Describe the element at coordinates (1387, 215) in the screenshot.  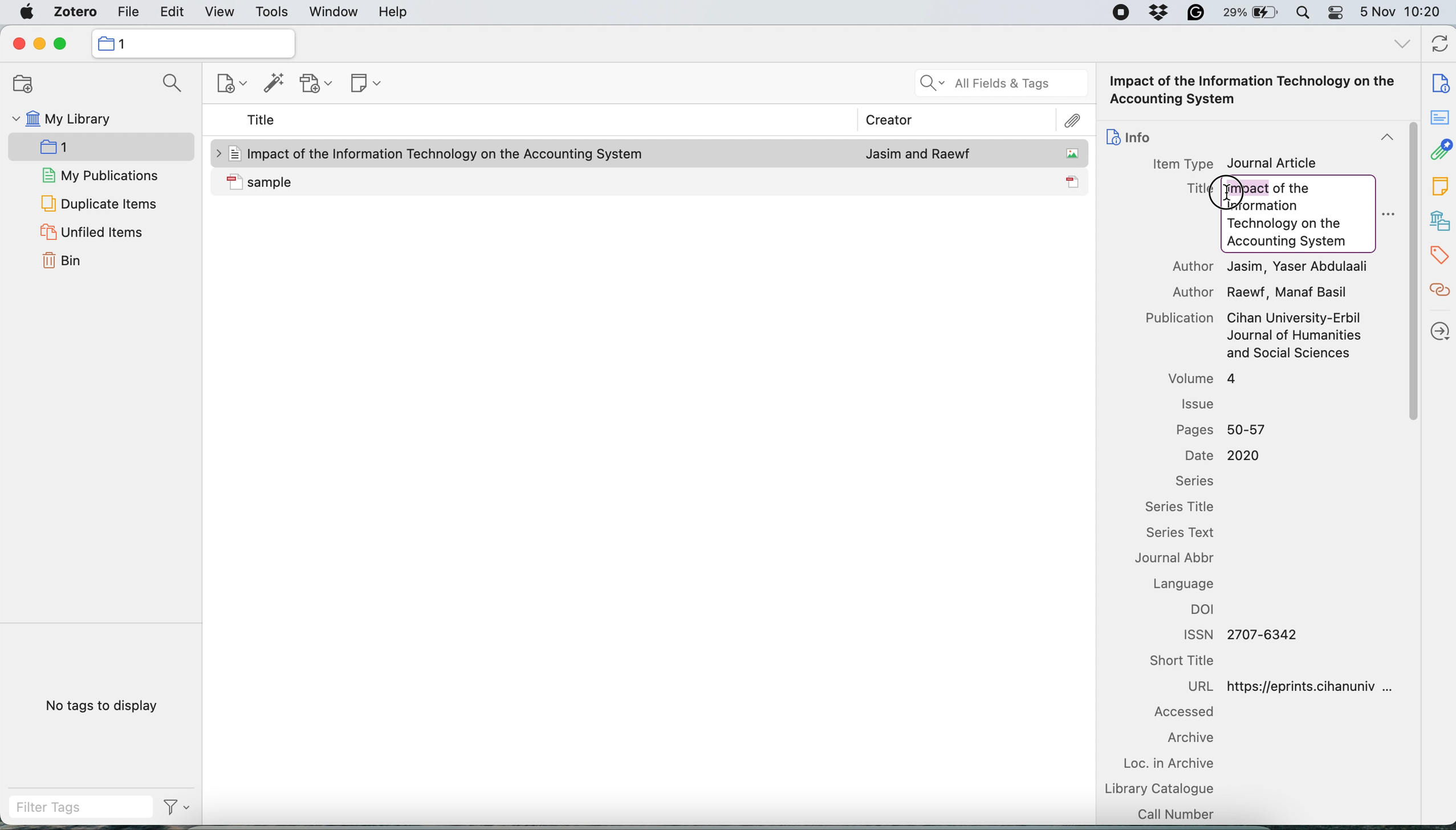
I see `more options` at that location.